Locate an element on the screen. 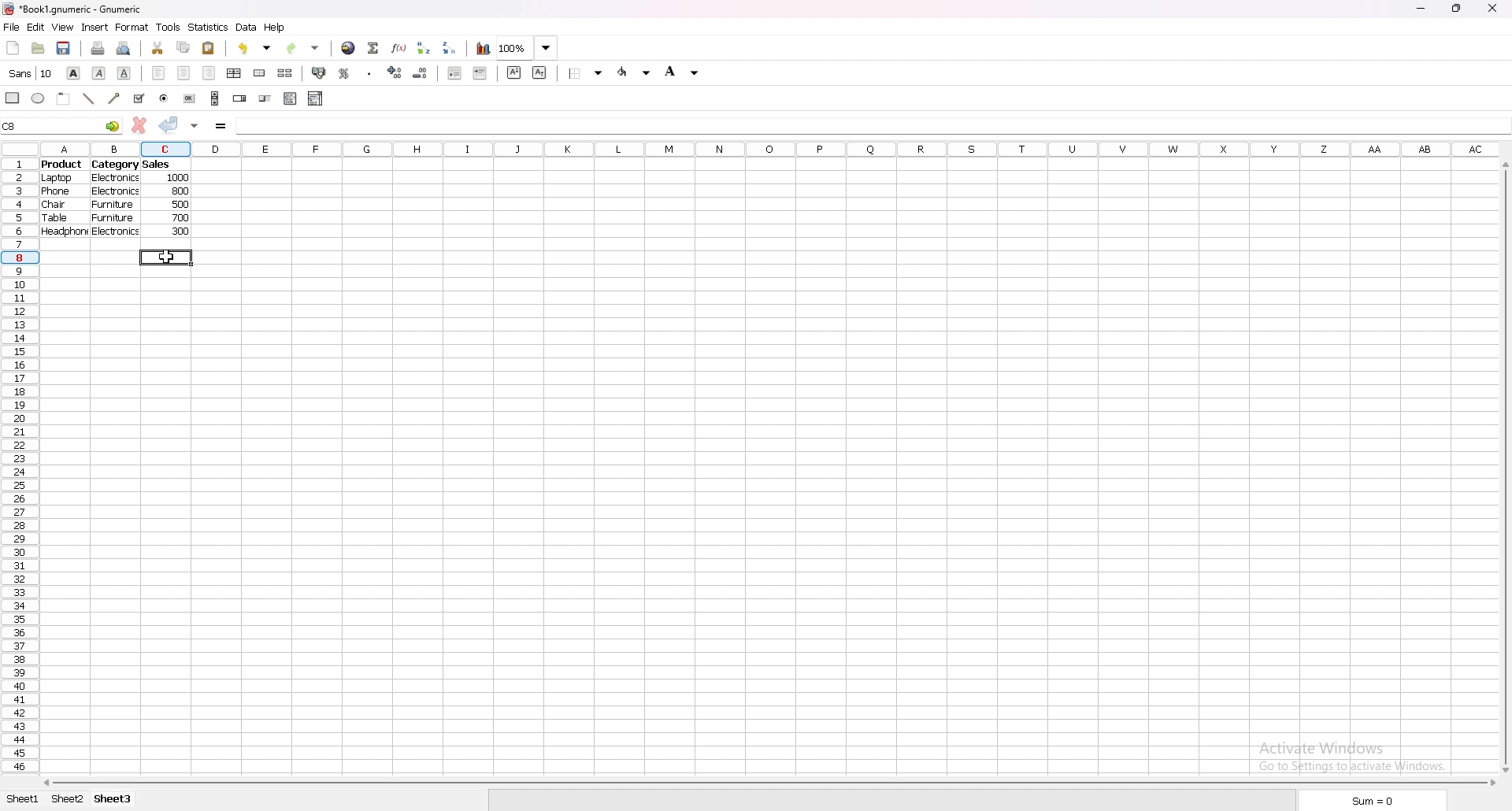  tickbox is located at coordinates (139, 98).